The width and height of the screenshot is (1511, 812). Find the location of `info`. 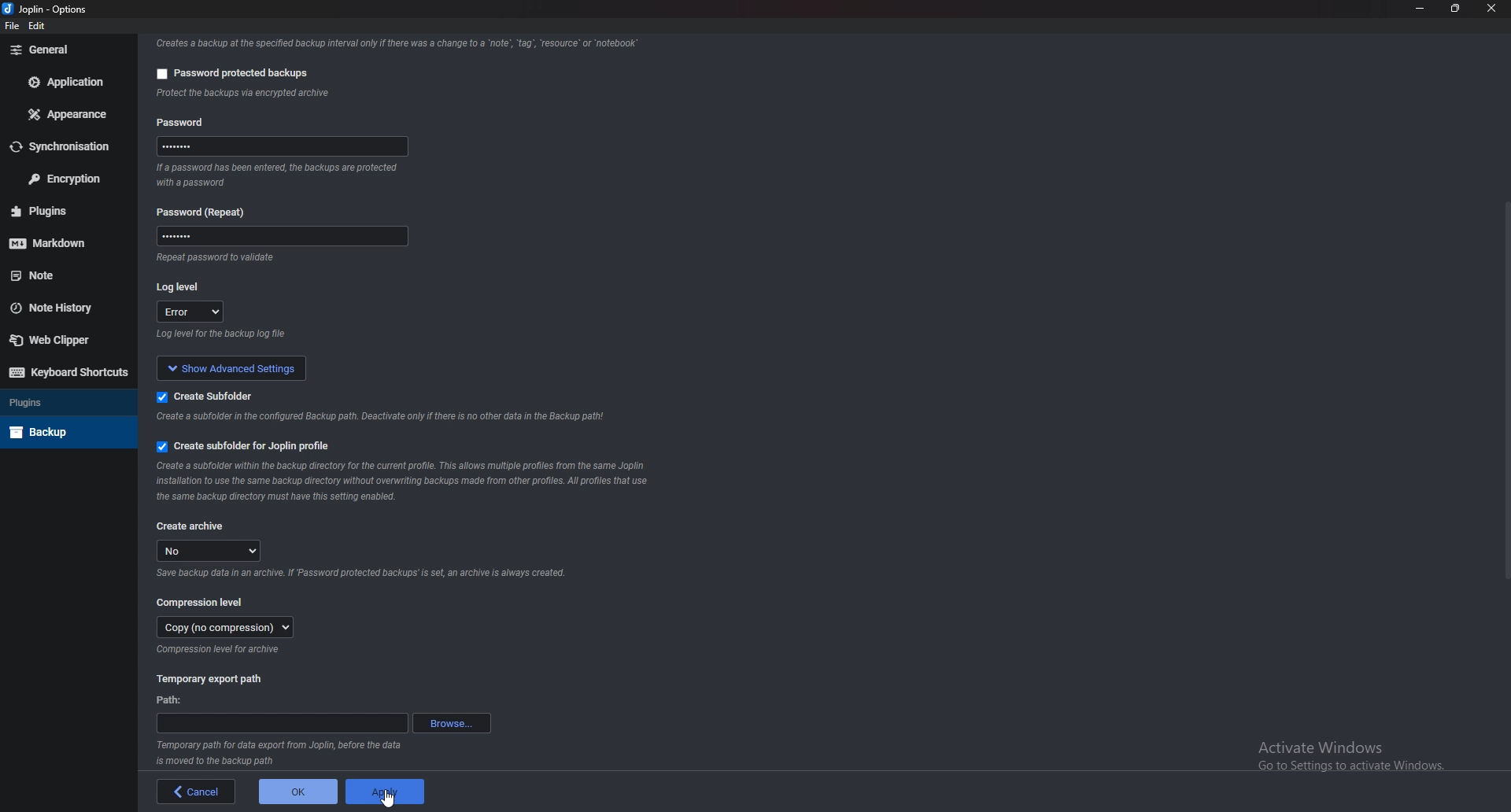

info is located at coordinates (393, 42).